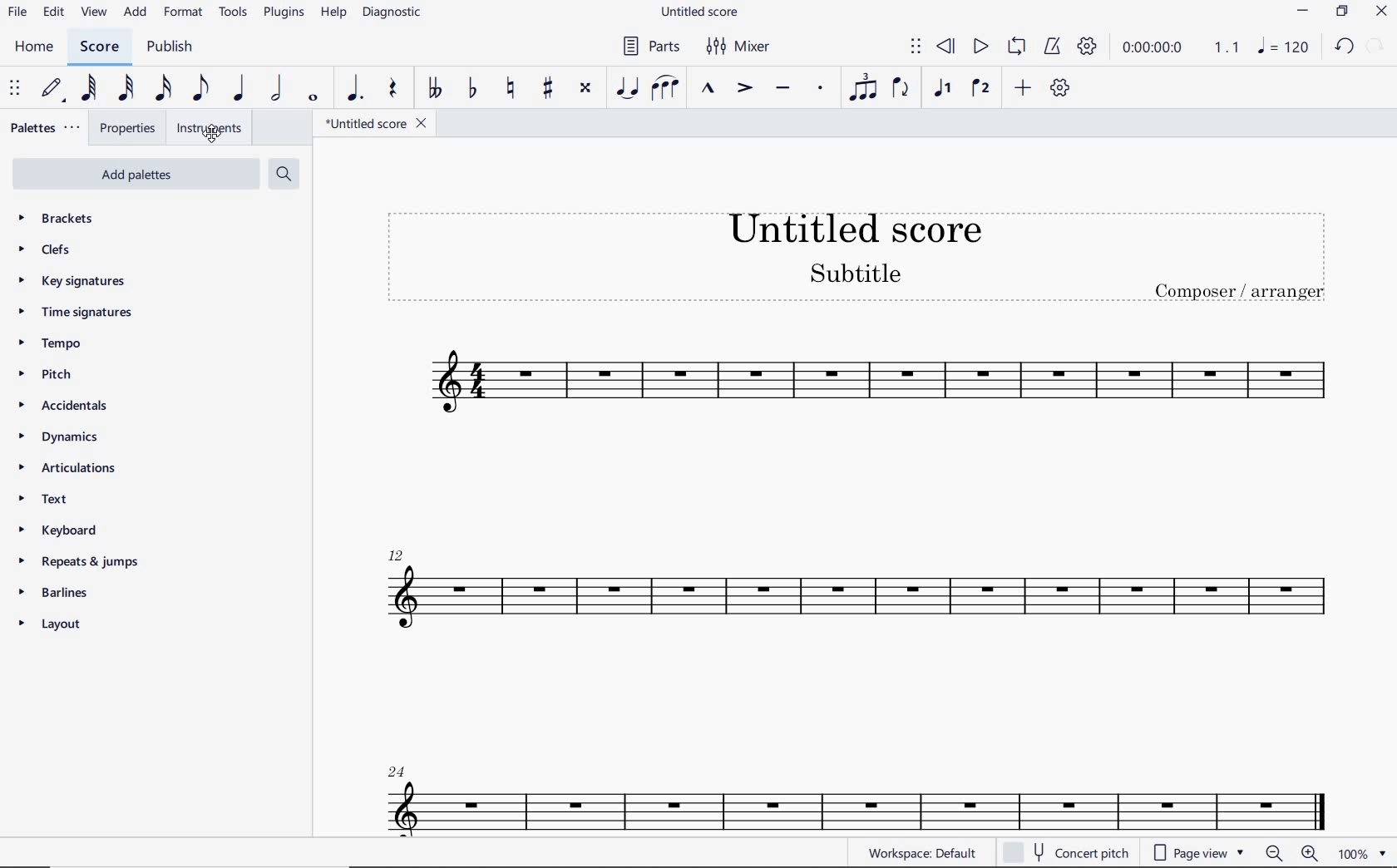 The height and width of the screenshot is (868, 1397). What do you see at coordinates (1287, 46) in the screenshot?
I see `note` at bounding box center [1287, 46].